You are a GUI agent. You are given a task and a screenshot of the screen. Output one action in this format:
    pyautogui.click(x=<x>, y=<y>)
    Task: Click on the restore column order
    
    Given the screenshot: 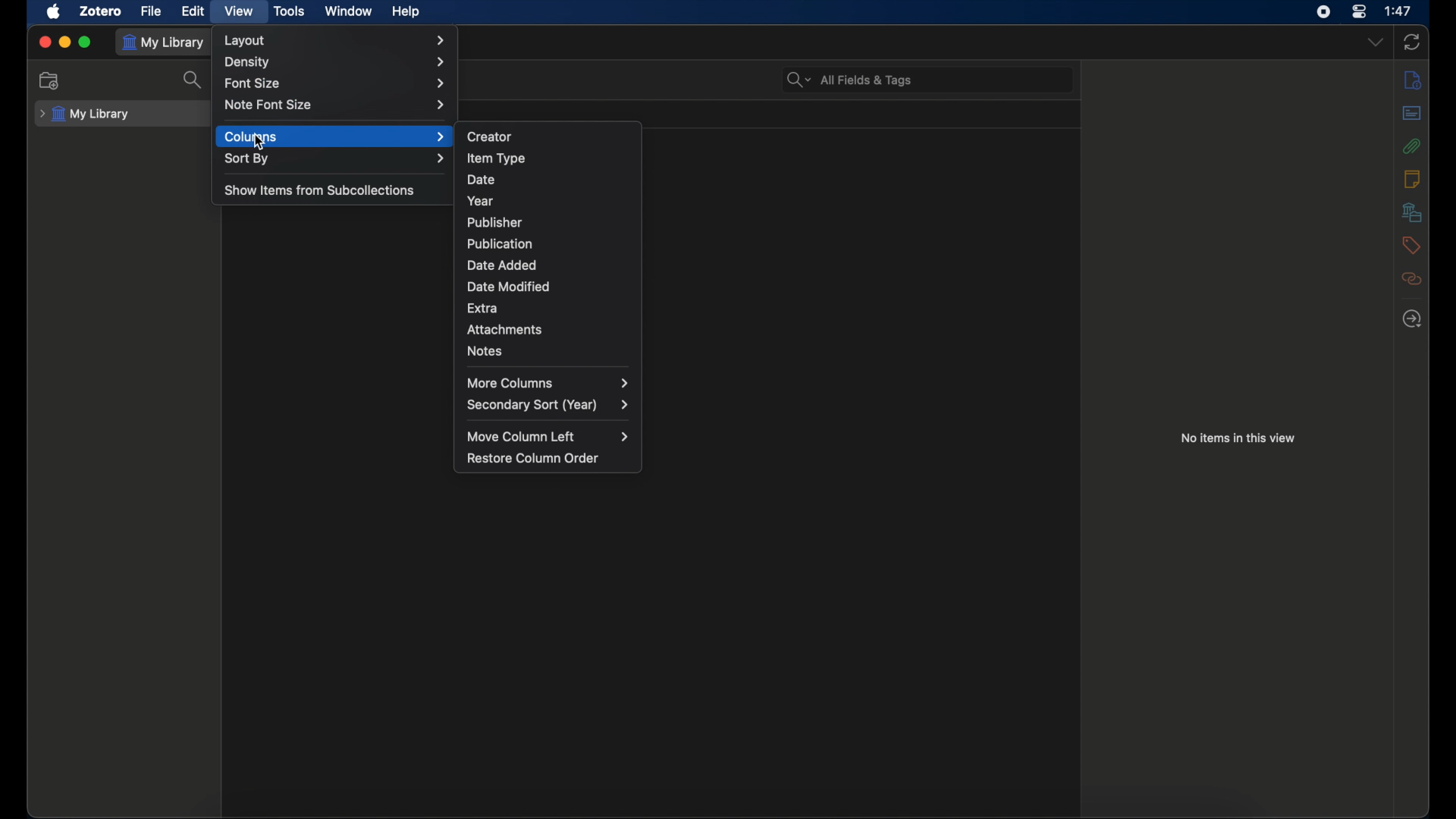 What is the action you would take?
    pyautogui.click(x=535, y=458)
    